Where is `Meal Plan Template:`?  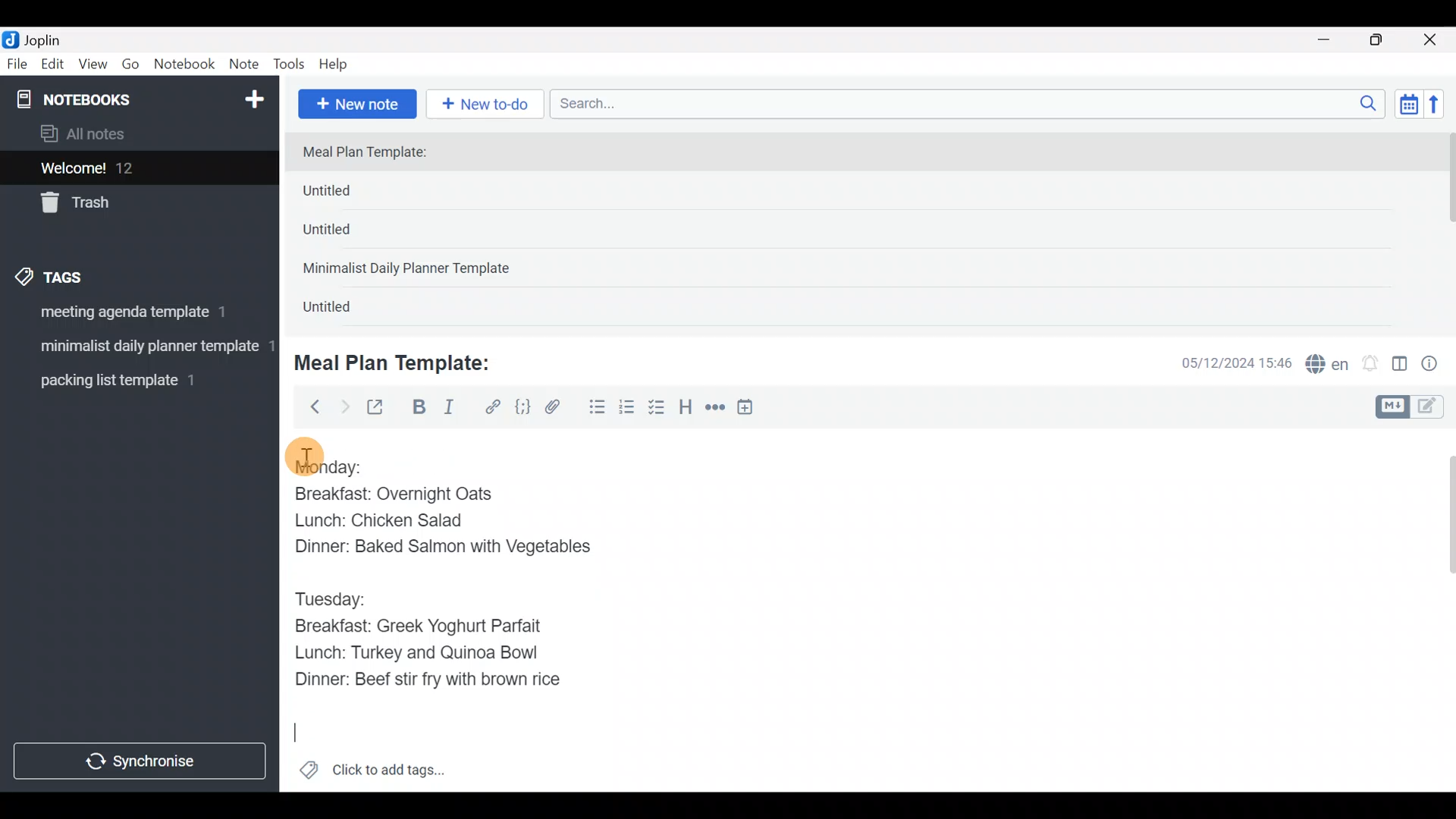
Meal Plan Template: is located at coordinates (374, 153).